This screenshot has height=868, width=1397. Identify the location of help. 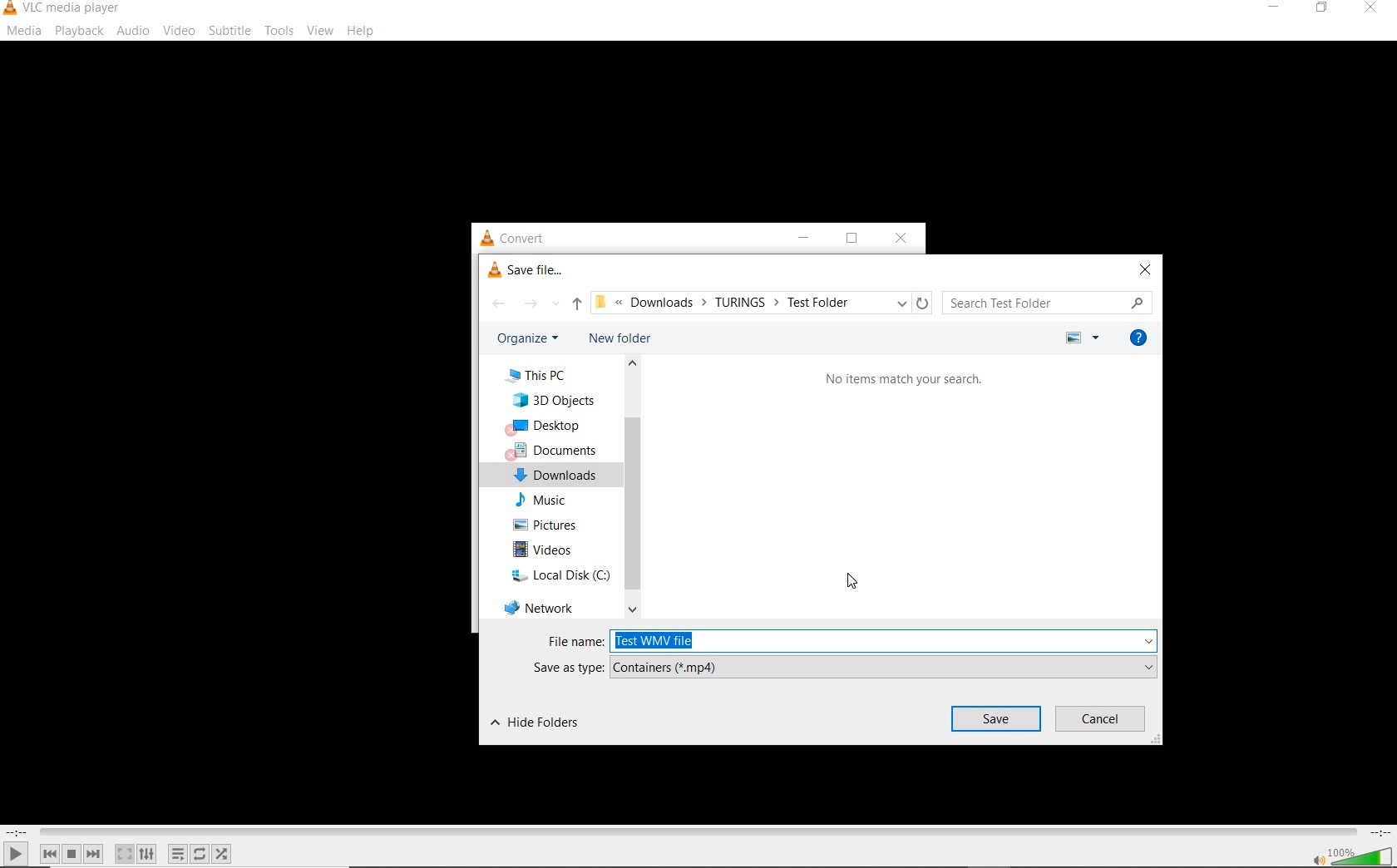
(361, 32).